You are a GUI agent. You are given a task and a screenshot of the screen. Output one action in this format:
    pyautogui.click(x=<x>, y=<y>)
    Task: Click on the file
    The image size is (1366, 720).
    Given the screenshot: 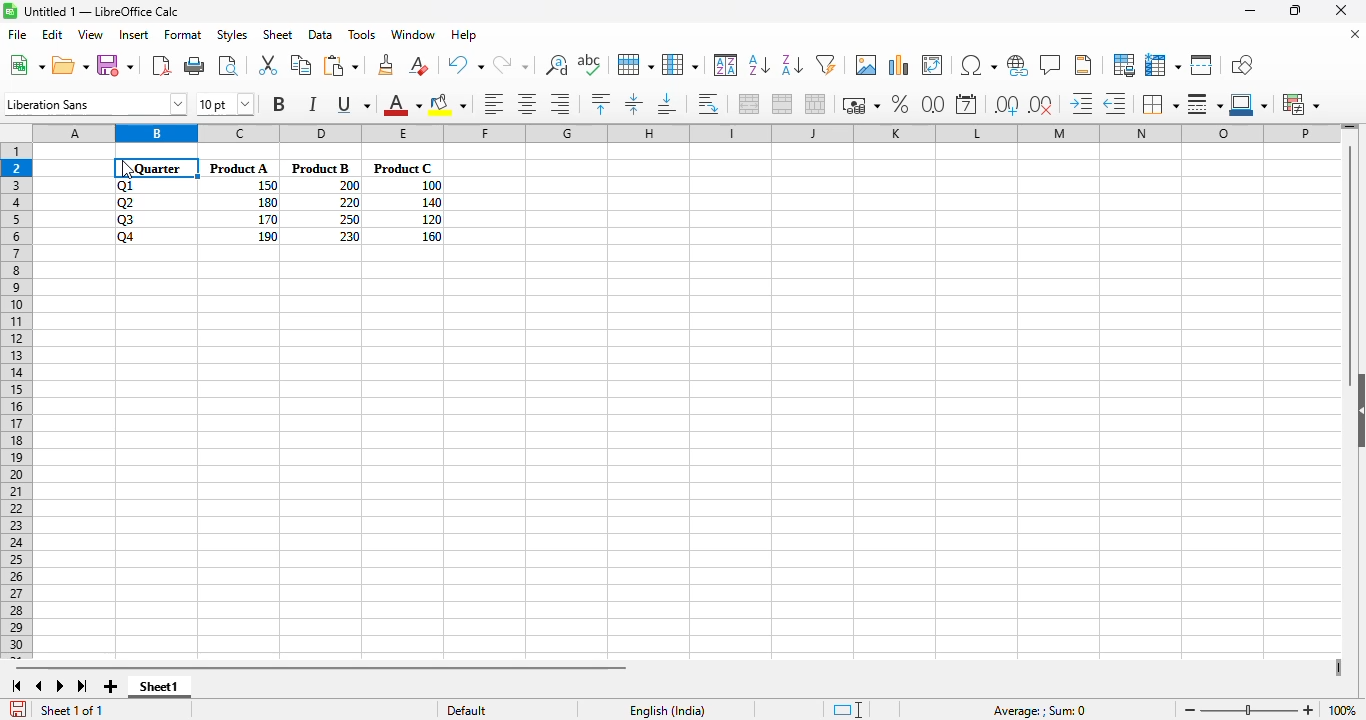 What is the action you would take?
    pyautogui.click(x=16, y=34)
    